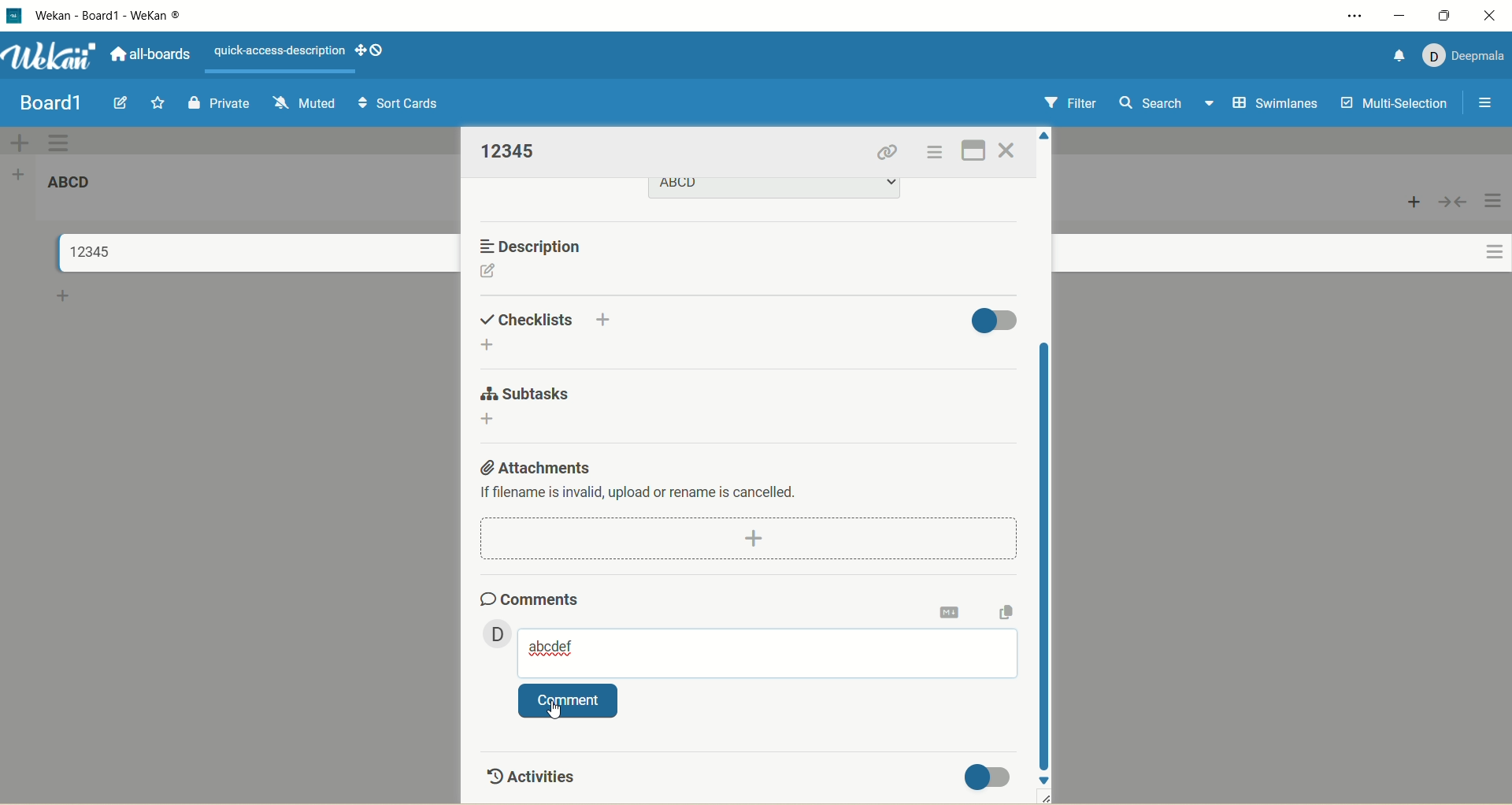 The height and width of the screenshot is (805, 1512). Describe the element at coordinates (60, 143) in the screenshot. I see `swimlane actions` at that location.